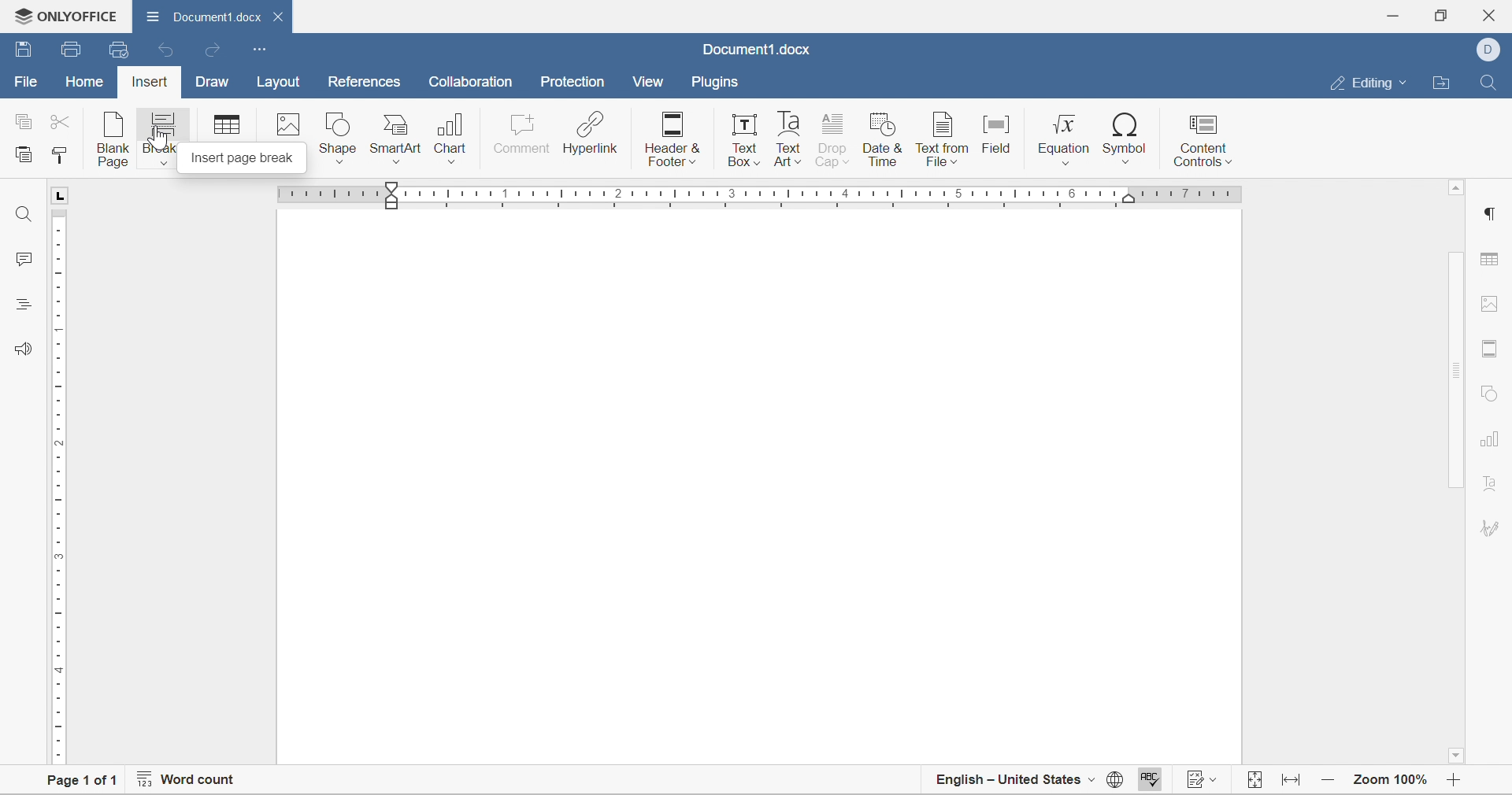  Describe the element at coordinates (942, 139) in the screenshot. I see `Text from file` at that location.